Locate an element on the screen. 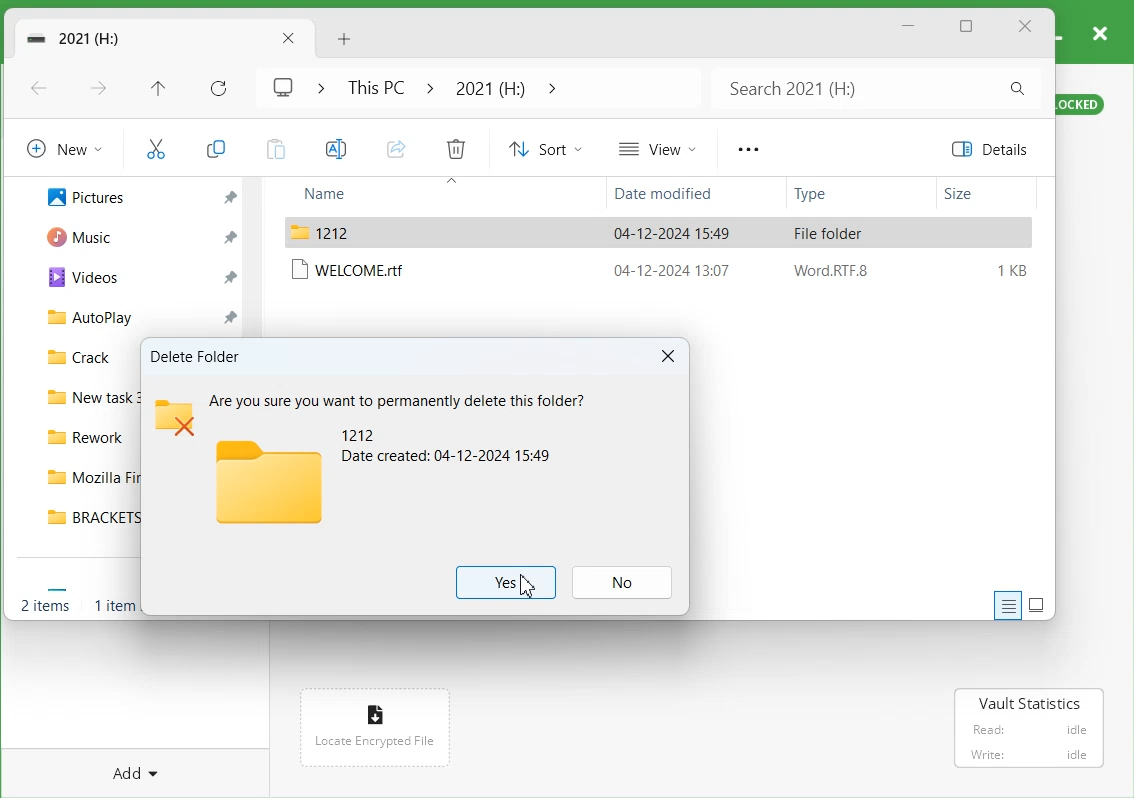 The height and width of the screenshot is (798, 1134). Drop down box is located at coordinates (549, 87).